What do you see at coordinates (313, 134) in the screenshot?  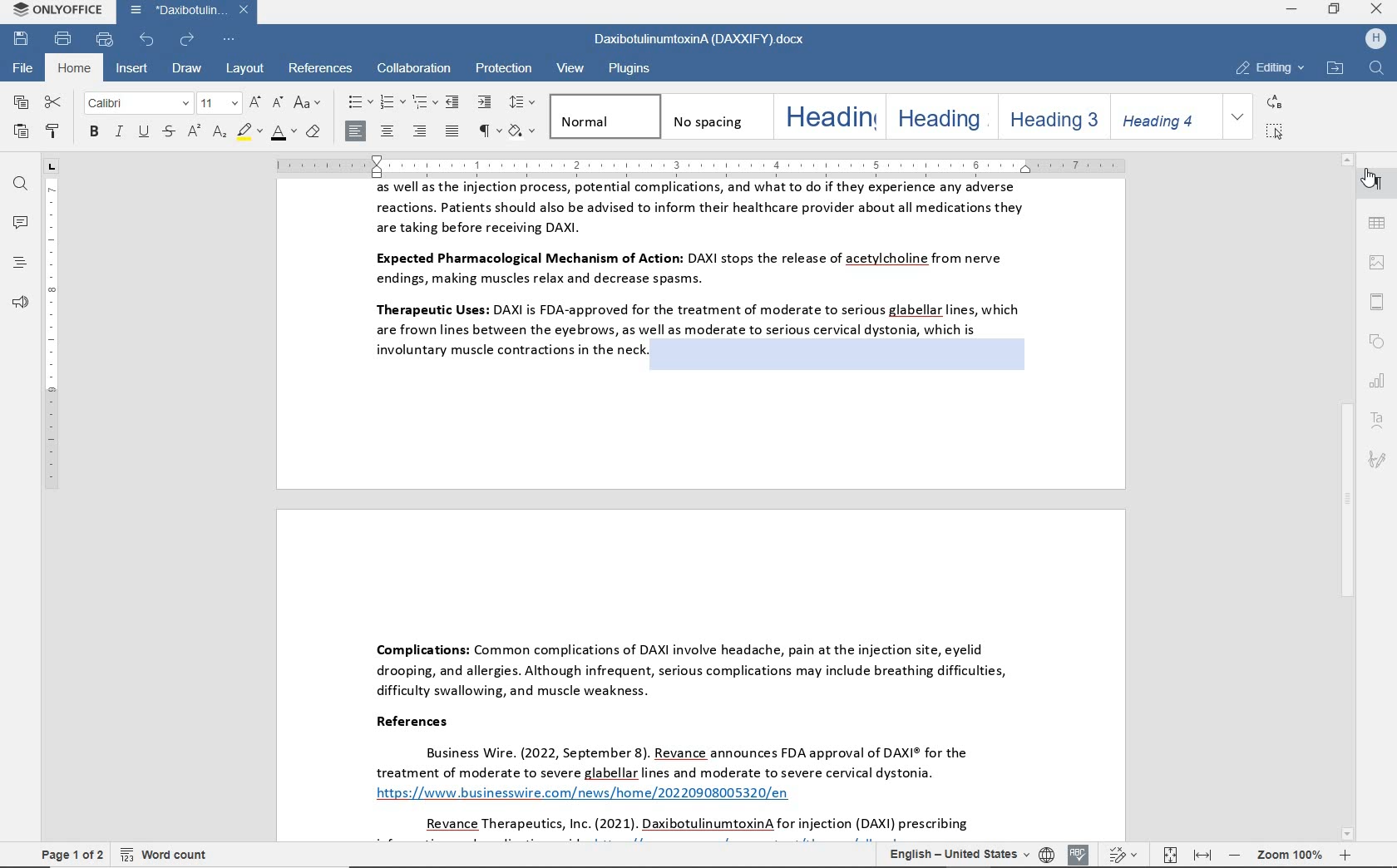 I see `clear style` at bounding box center [313, 134].